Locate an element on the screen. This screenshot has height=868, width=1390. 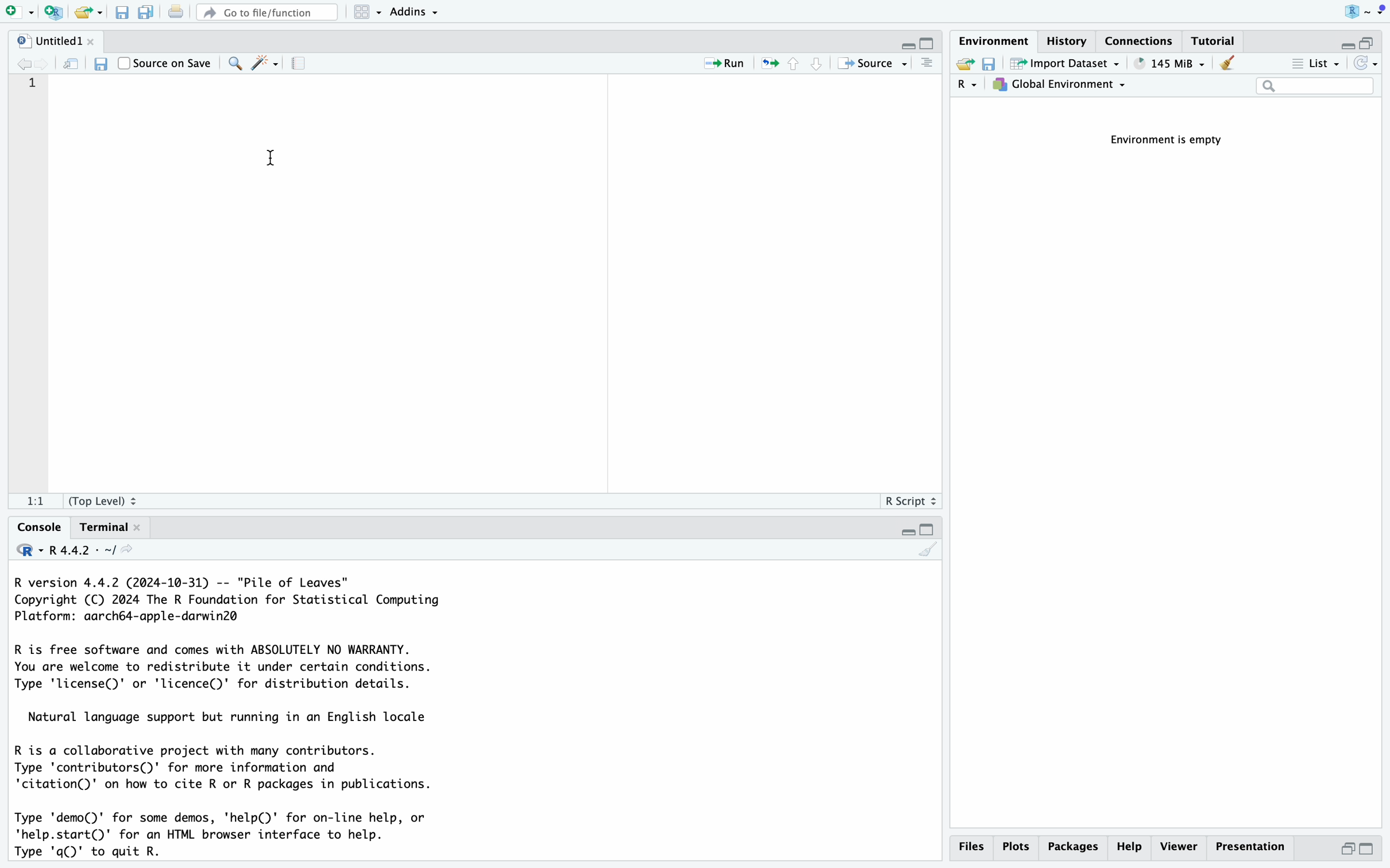
cursor is located at coordinates (272, 162).